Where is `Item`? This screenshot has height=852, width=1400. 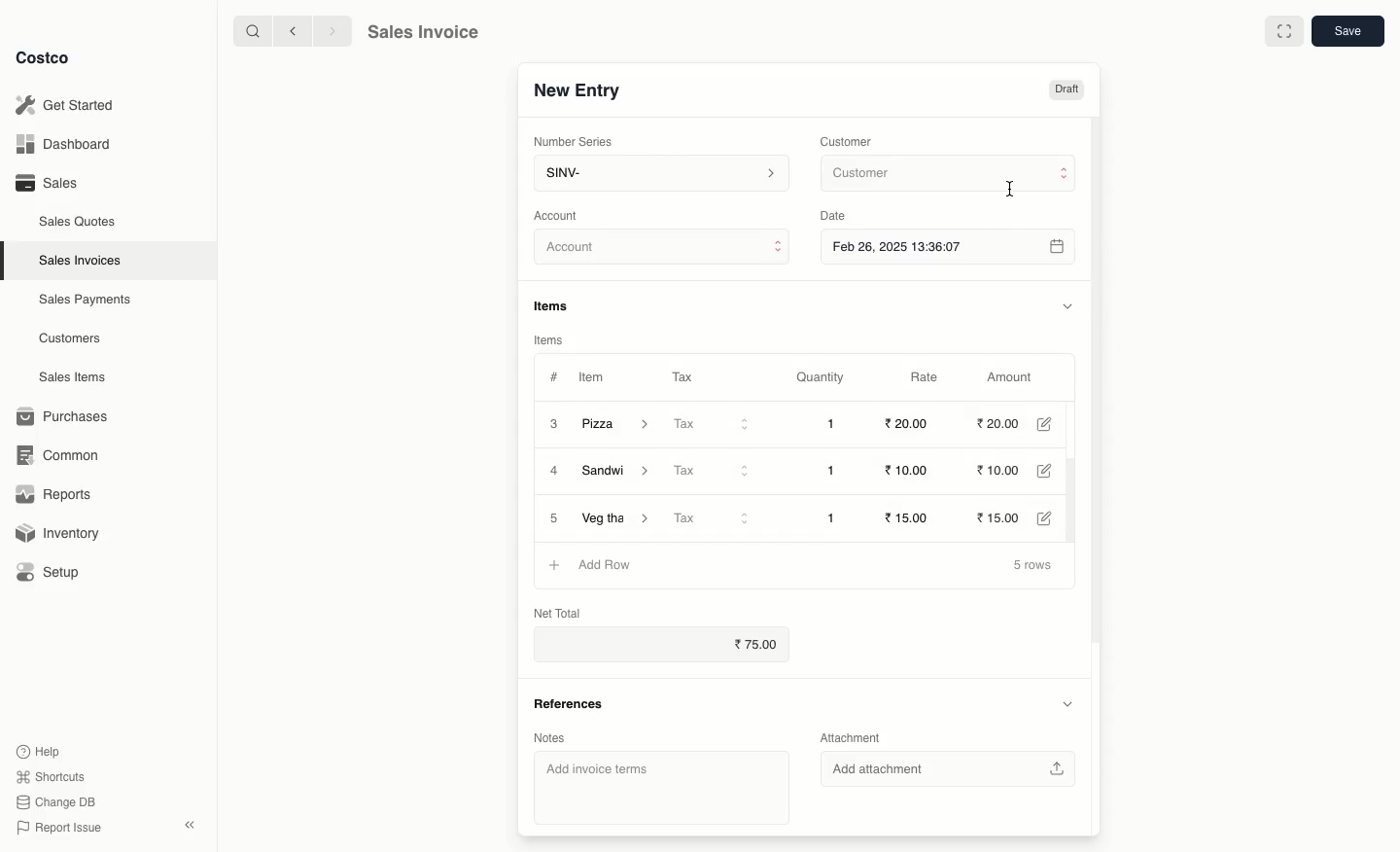 Item is located at coordinates (594, 379).